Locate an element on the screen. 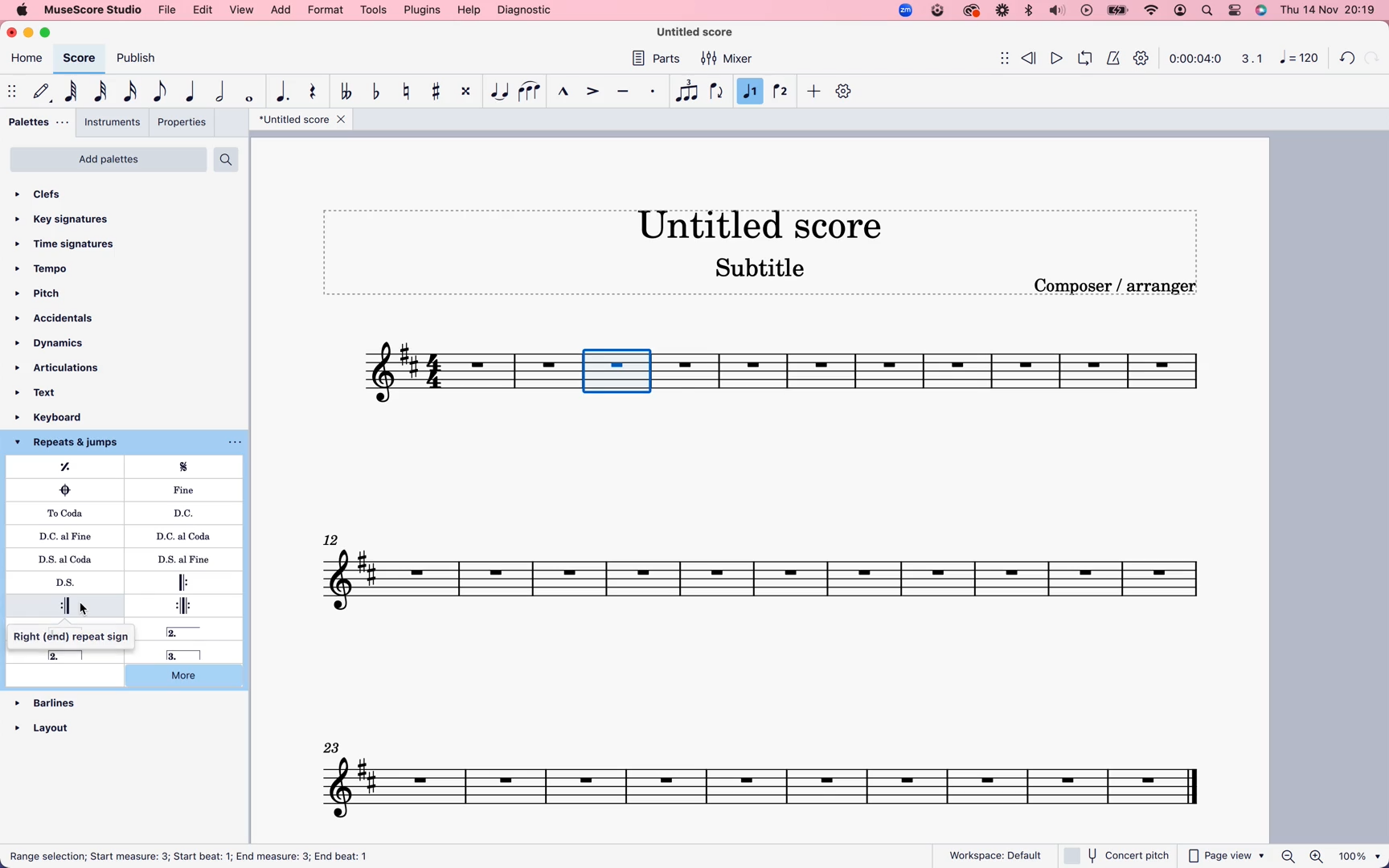  quarter note is located at coordinates (192, 89).